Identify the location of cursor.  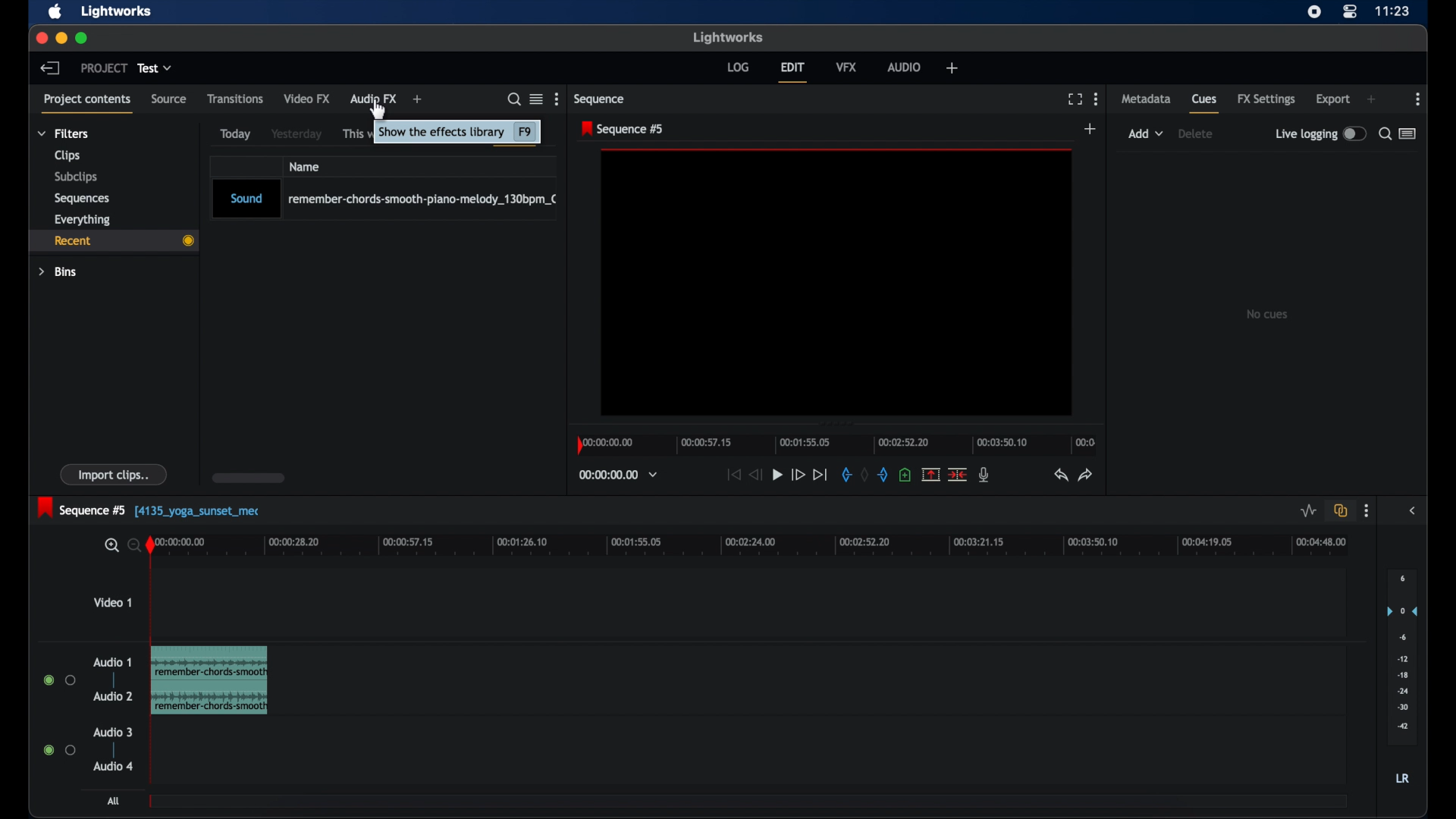
(376, 111).